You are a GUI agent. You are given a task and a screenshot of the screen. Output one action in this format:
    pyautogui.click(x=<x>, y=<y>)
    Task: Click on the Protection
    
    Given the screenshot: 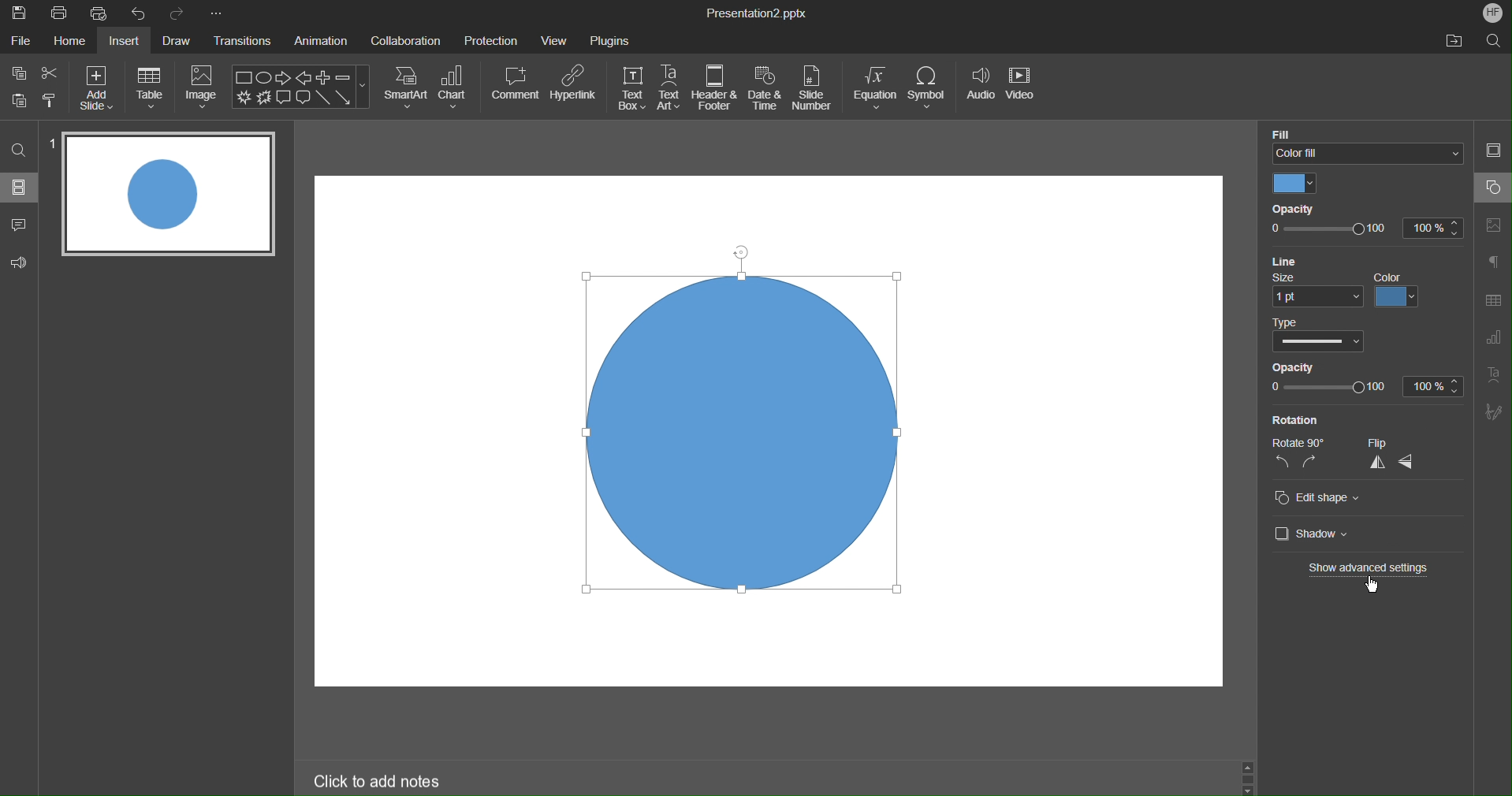 What is the action you would take?
    pyautogui.click(x=491, y=39)
    